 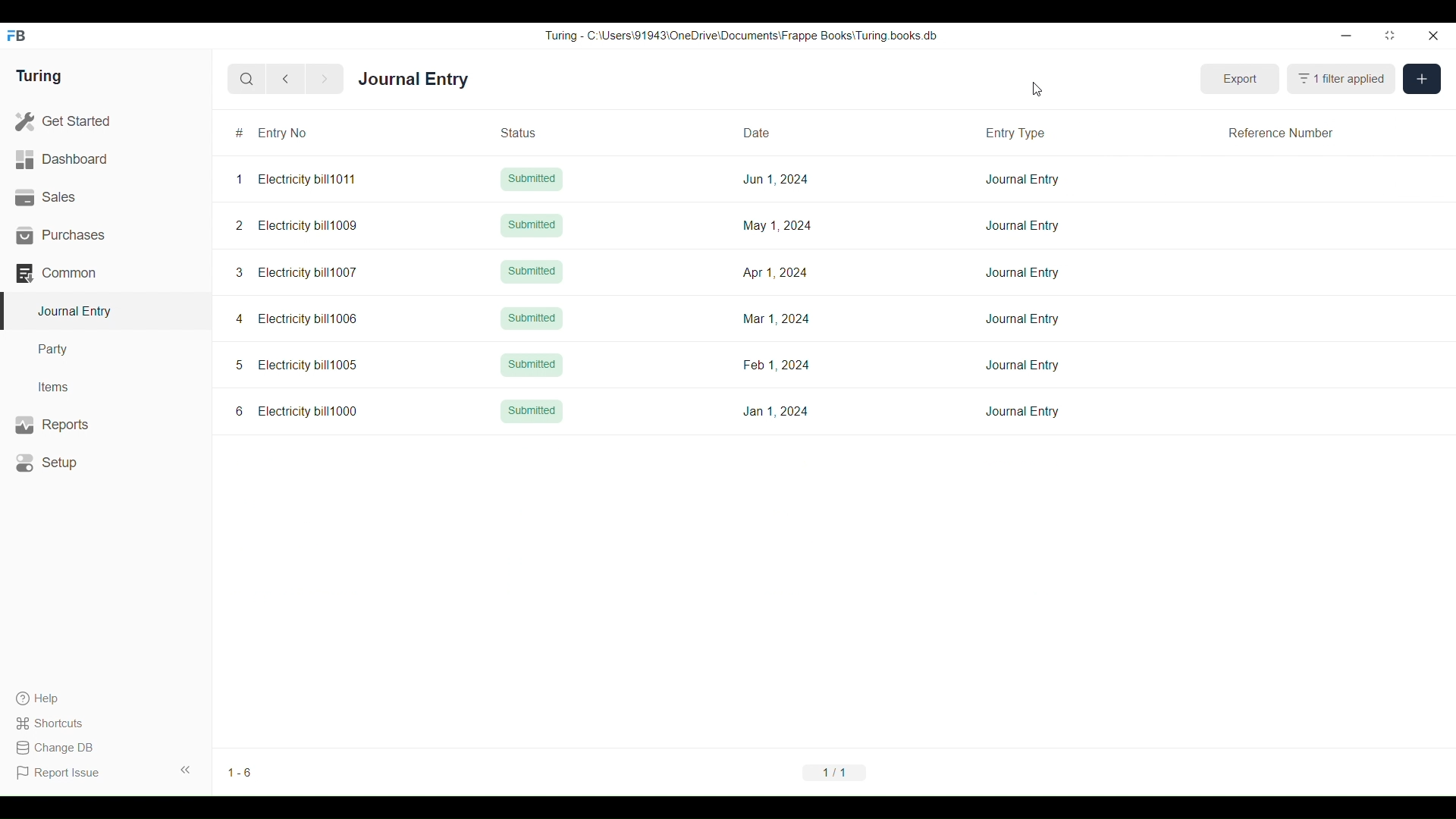 I want to click on Purchases, so click(x=105, y=235).